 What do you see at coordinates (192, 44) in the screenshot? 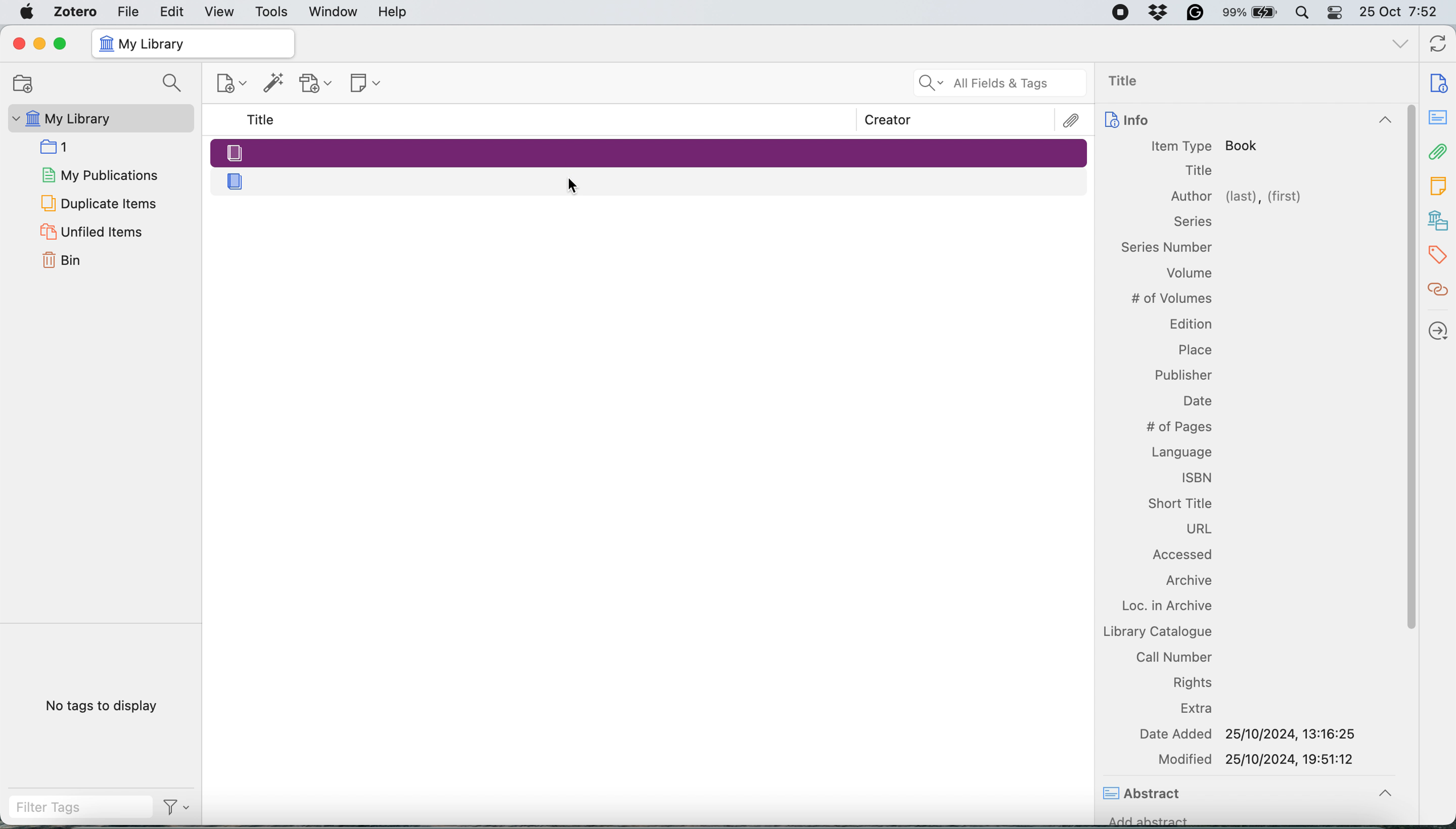
I see `My Library` at bounding box center [192, 44].